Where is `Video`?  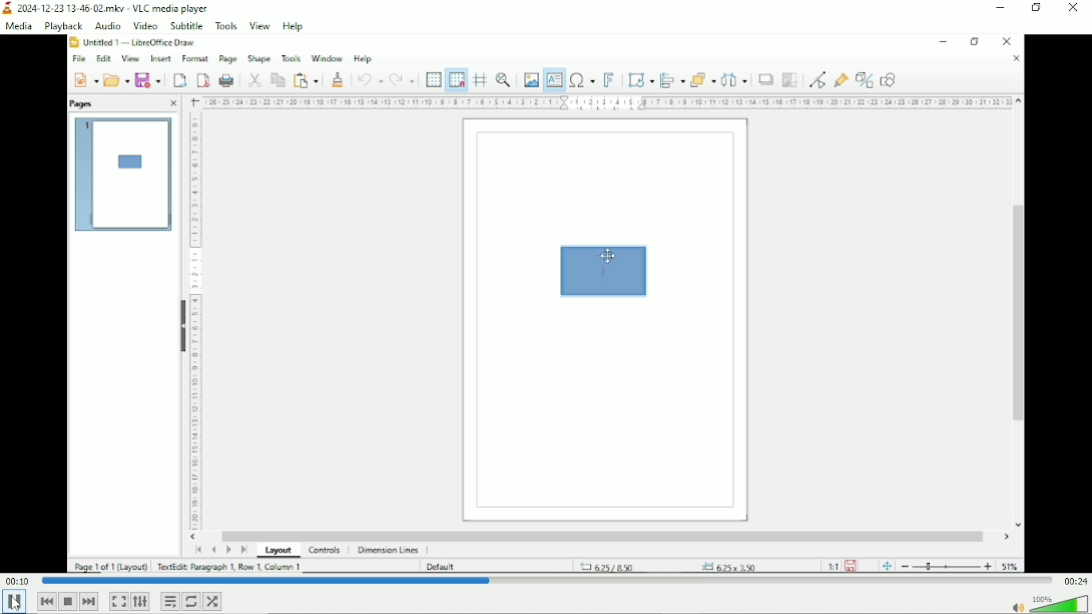
Video is located at coordinates (145, 25).